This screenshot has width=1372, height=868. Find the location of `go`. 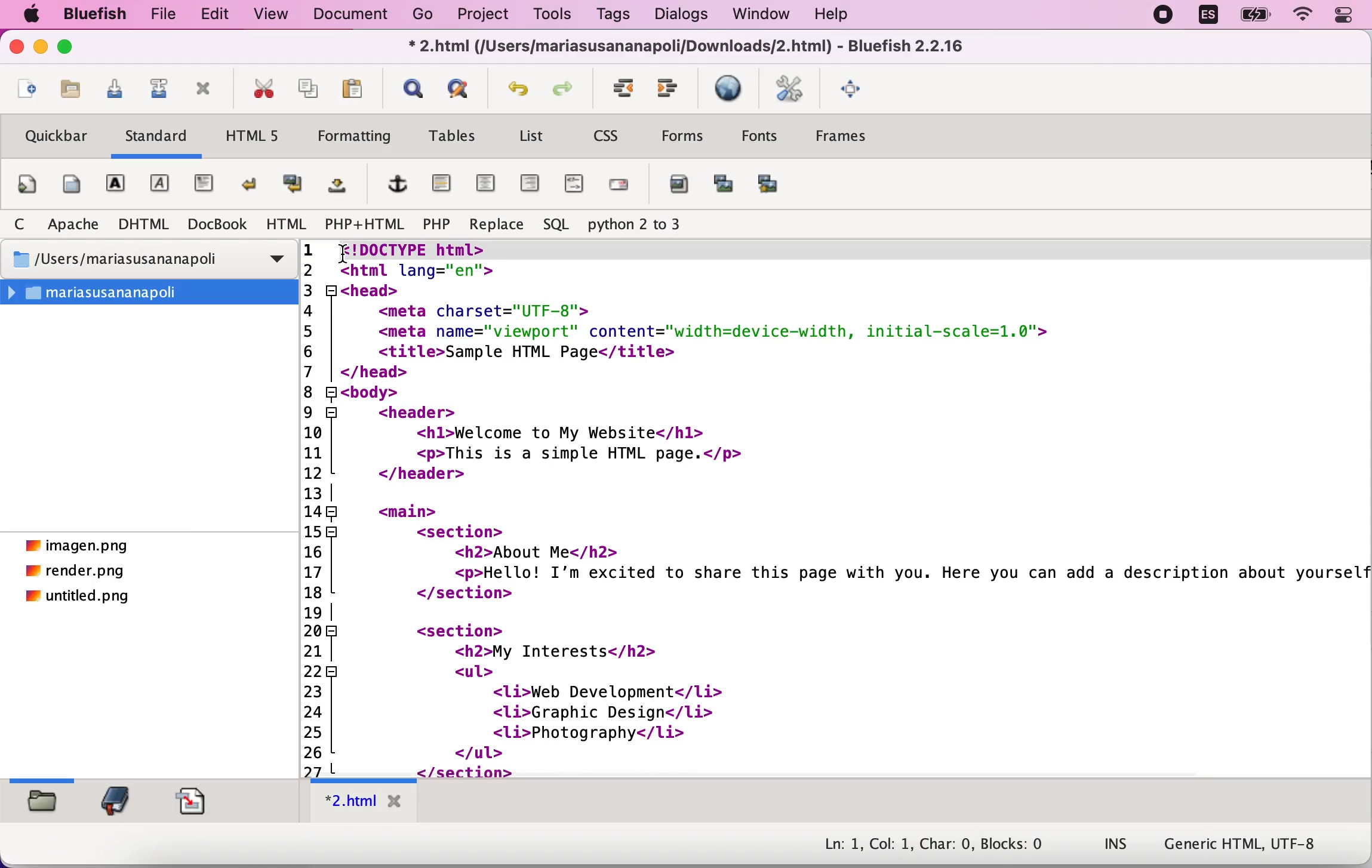

go is located at coordinates (426, 16).